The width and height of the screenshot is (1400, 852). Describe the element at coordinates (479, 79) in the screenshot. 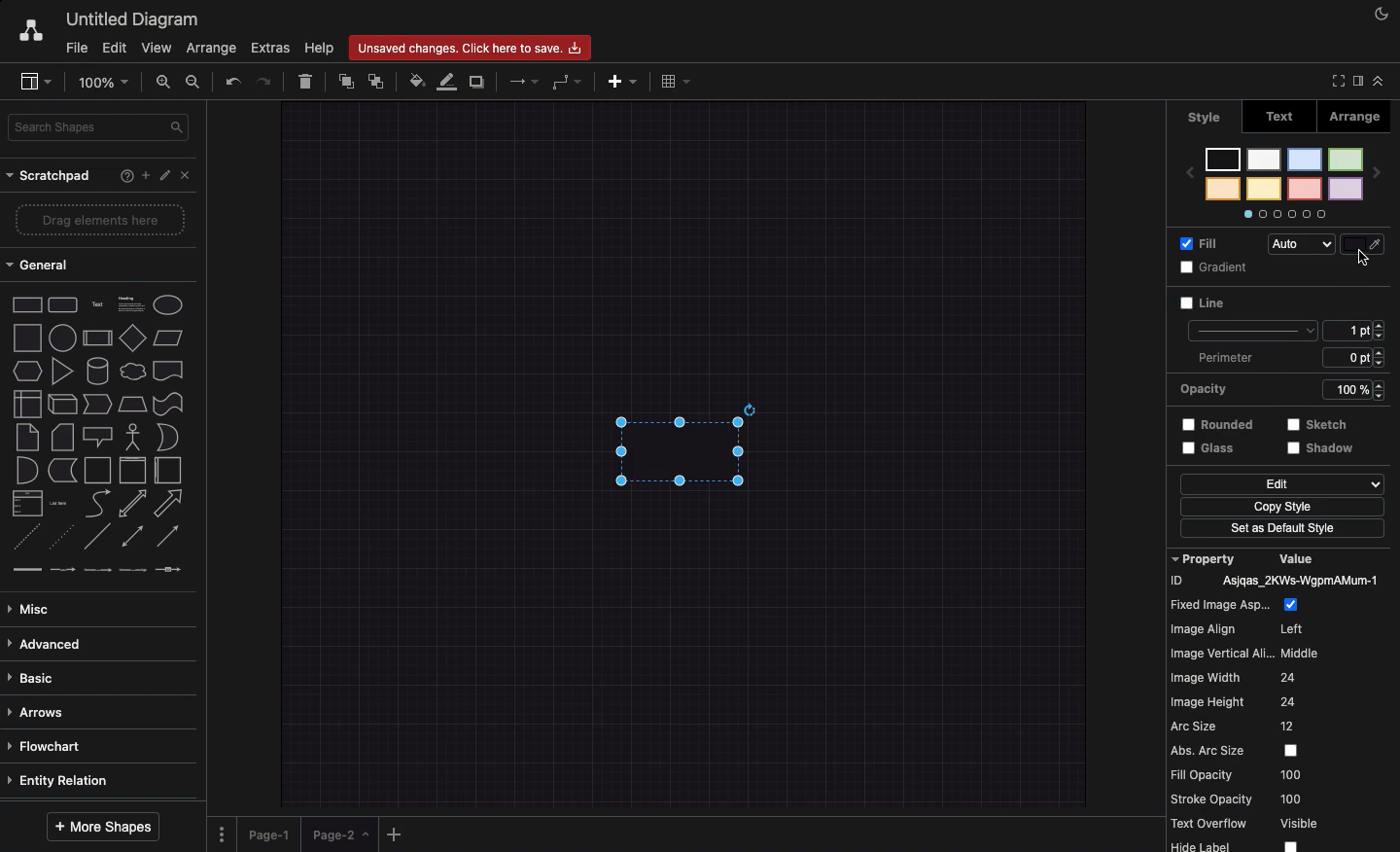

I see `Duplicate` at that location.